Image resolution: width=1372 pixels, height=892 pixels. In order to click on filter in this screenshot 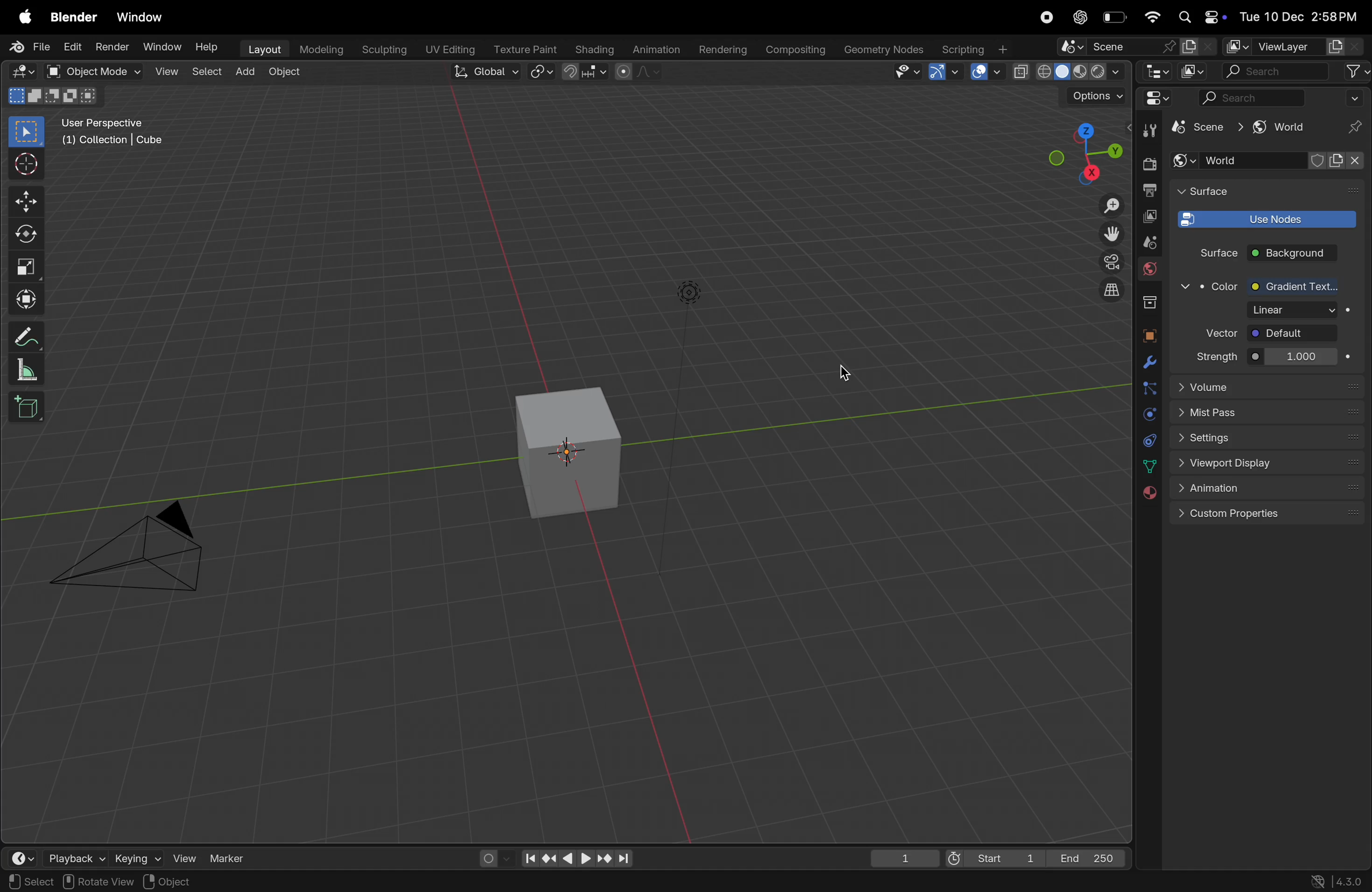, I will do `click(1354, 72)`.